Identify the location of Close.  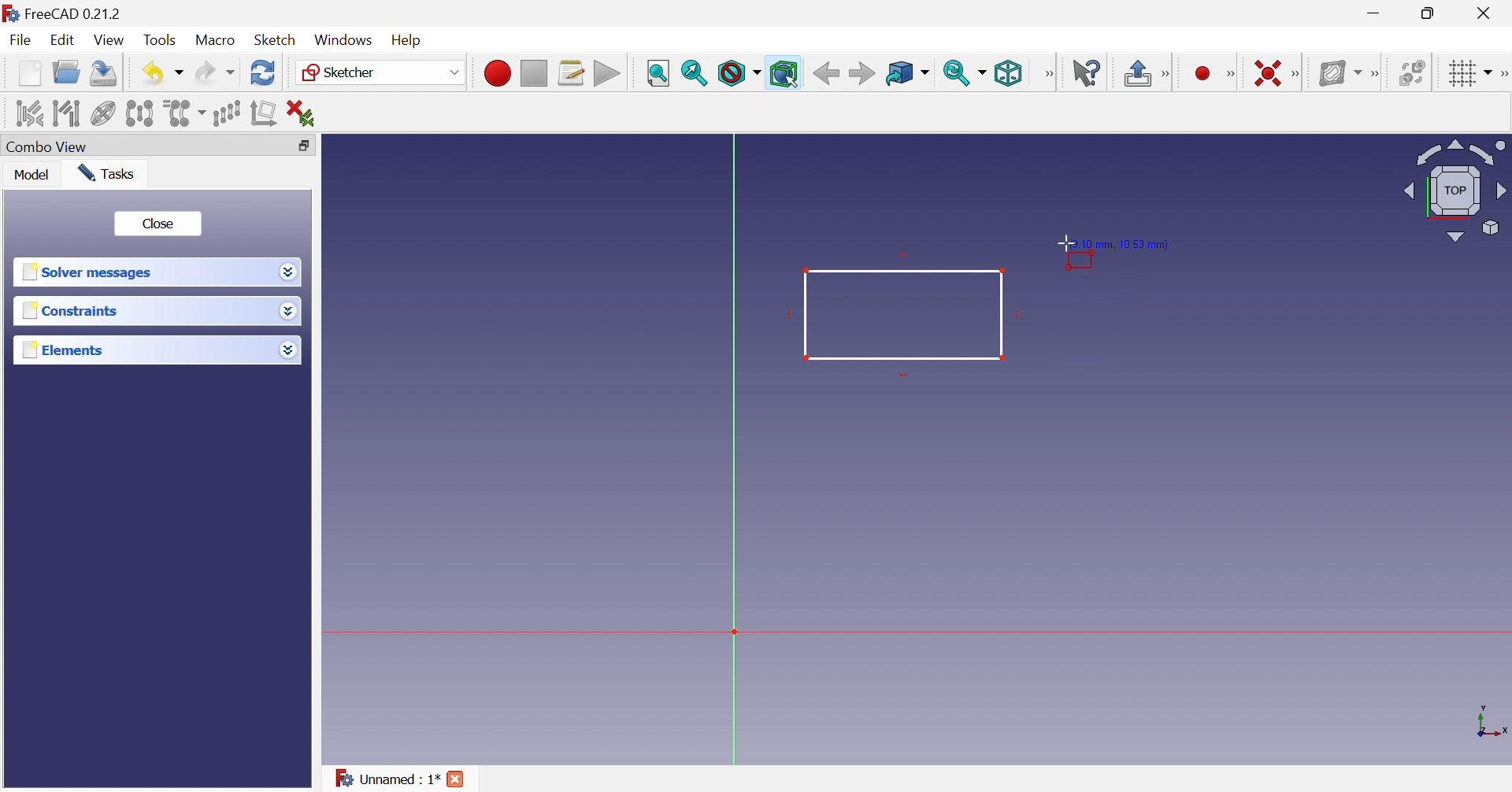
(159, 224).